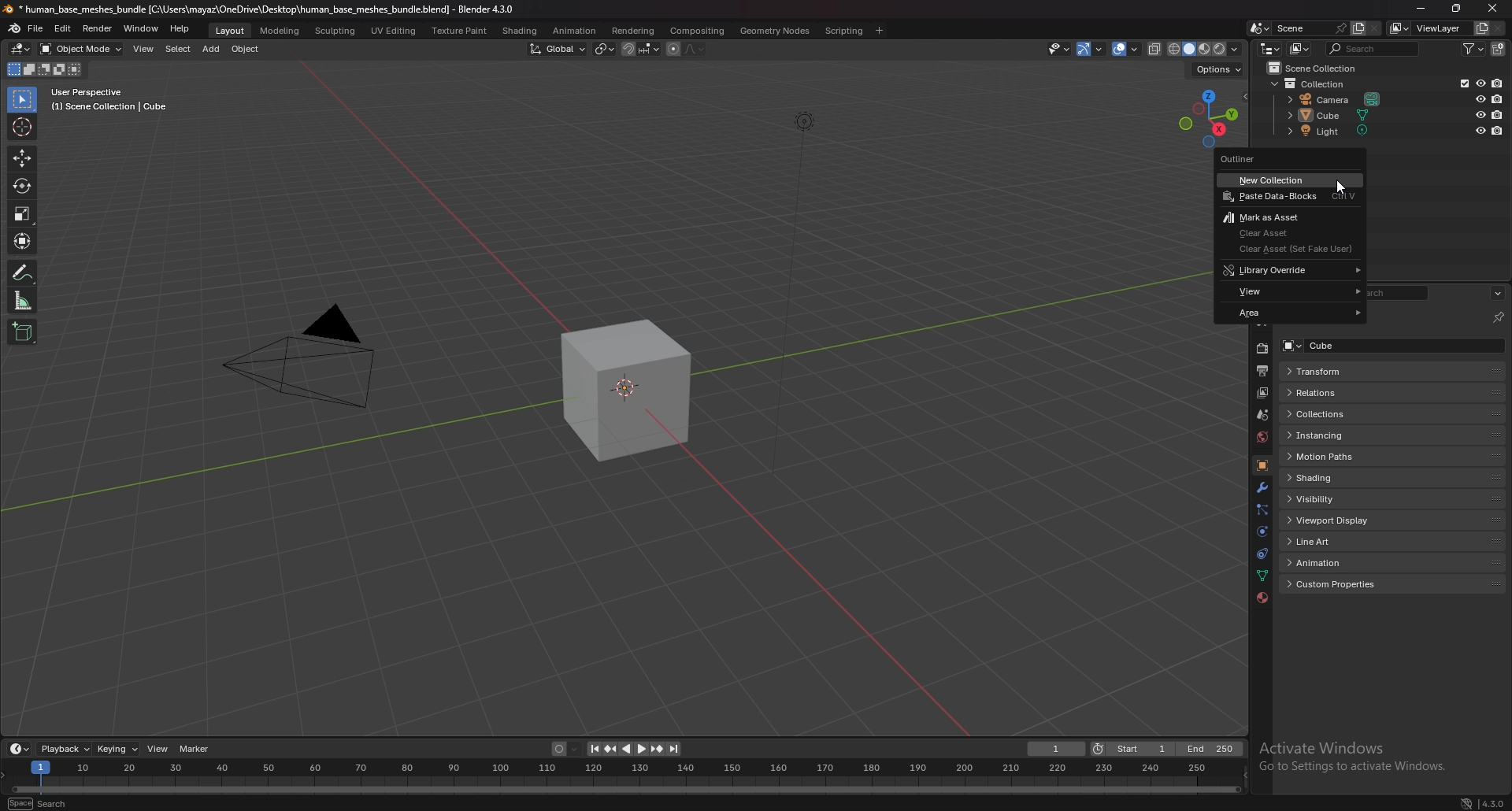 The height and width of the screenshot is (811, 1512). Describe the element at coordinates (22, 48) in the screenshot. I see `editor type` at that location.